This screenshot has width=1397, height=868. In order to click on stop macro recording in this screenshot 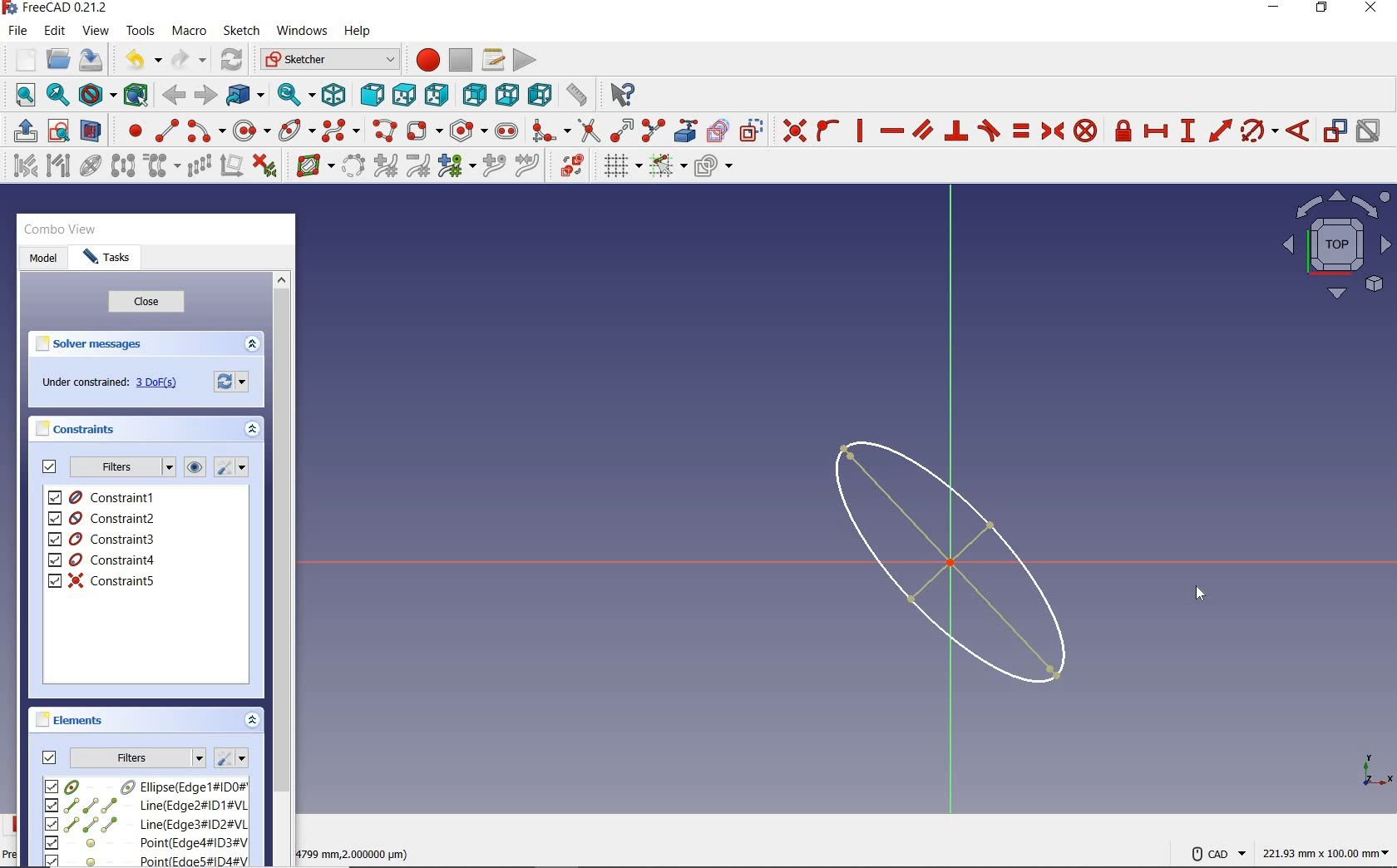, I will do `click(462, 59)`.